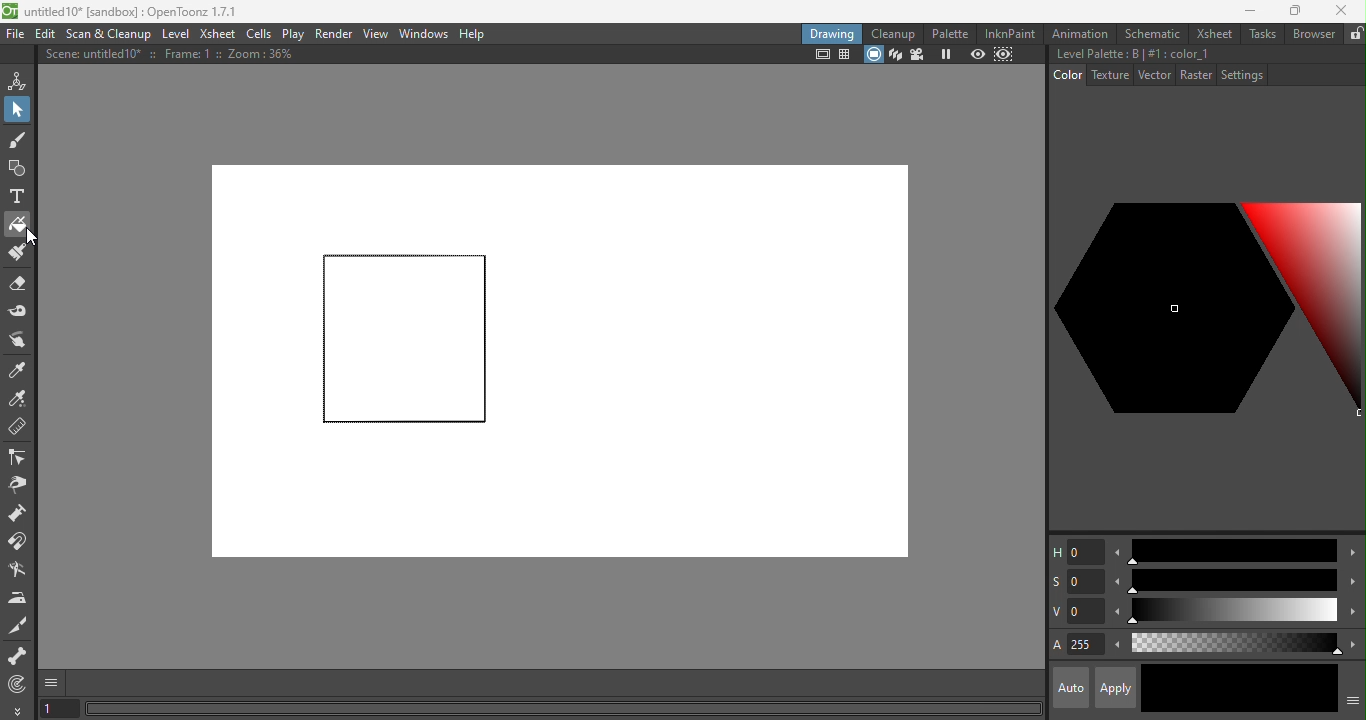  What do you see at coordinates (1241, 74) in the screenshot?
I see `Settings` at bounding box center [1241, 74].